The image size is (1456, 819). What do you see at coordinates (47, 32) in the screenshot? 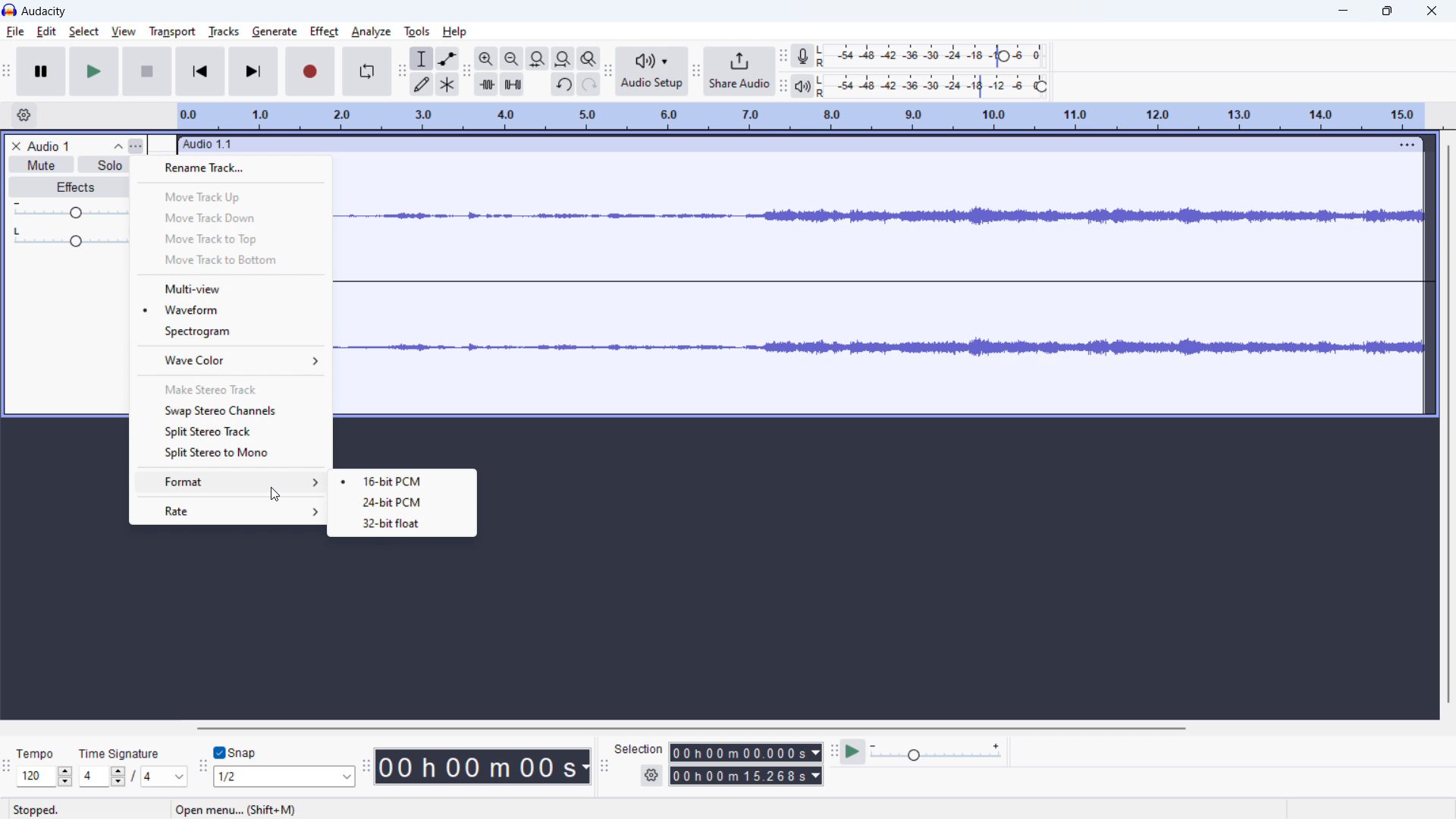
I see `edit` at bounding box center [47, 32].